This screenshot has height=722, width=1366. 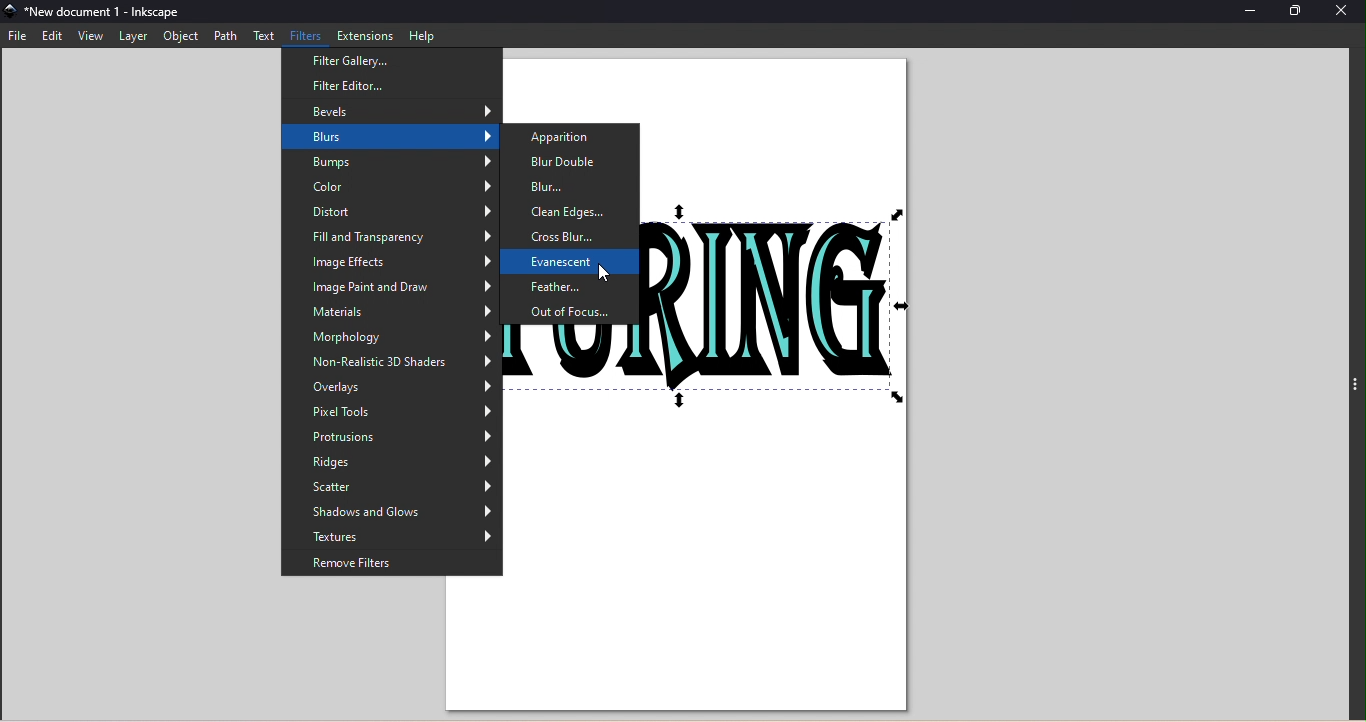 I want to click on Scatter, so click(x=391, y=486).